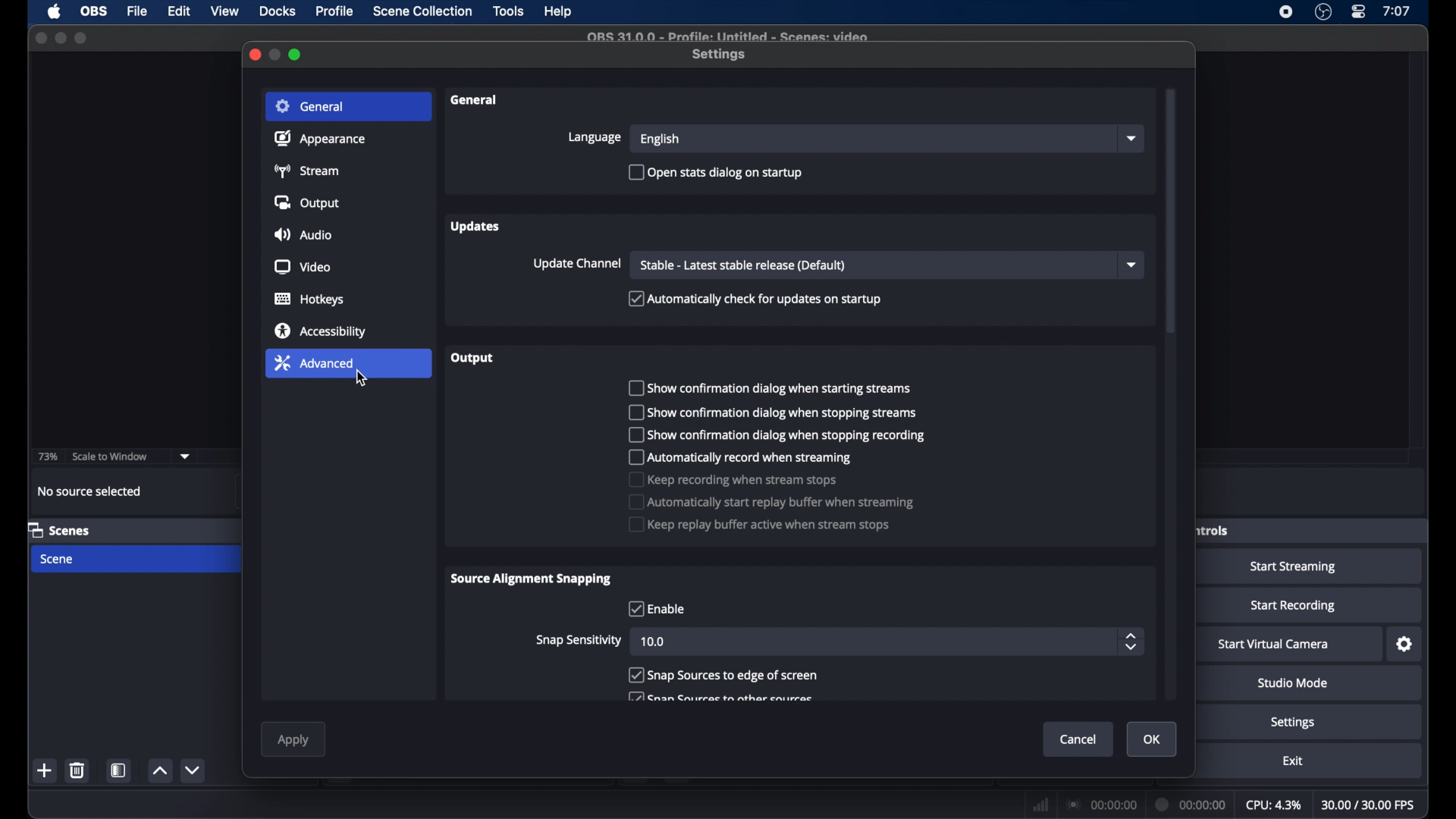  I want to click on decrement, so click(193, 770).